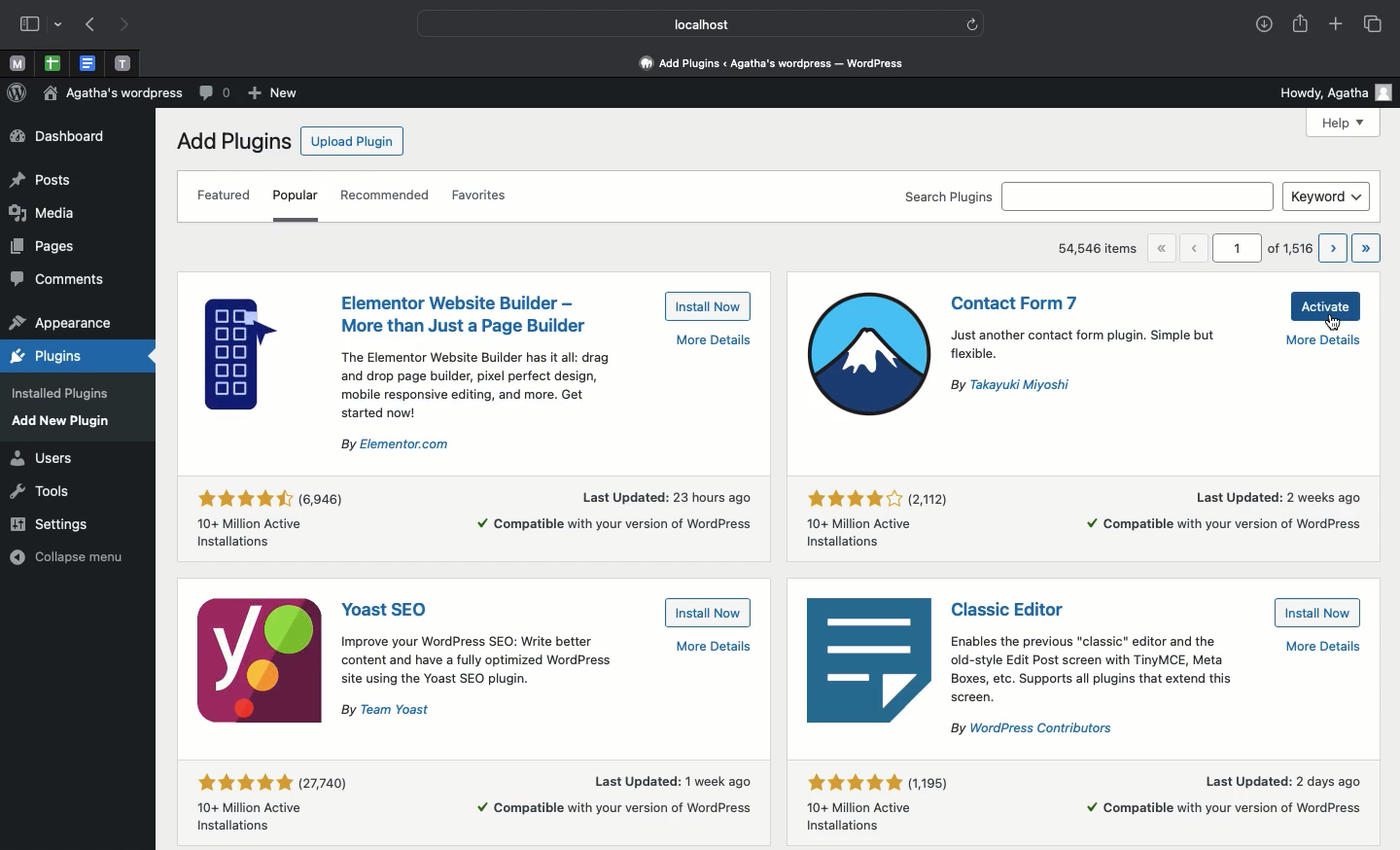  Describe the element at coordinates (1099, 361) in the screenshot. I see `Informational text` at that location.